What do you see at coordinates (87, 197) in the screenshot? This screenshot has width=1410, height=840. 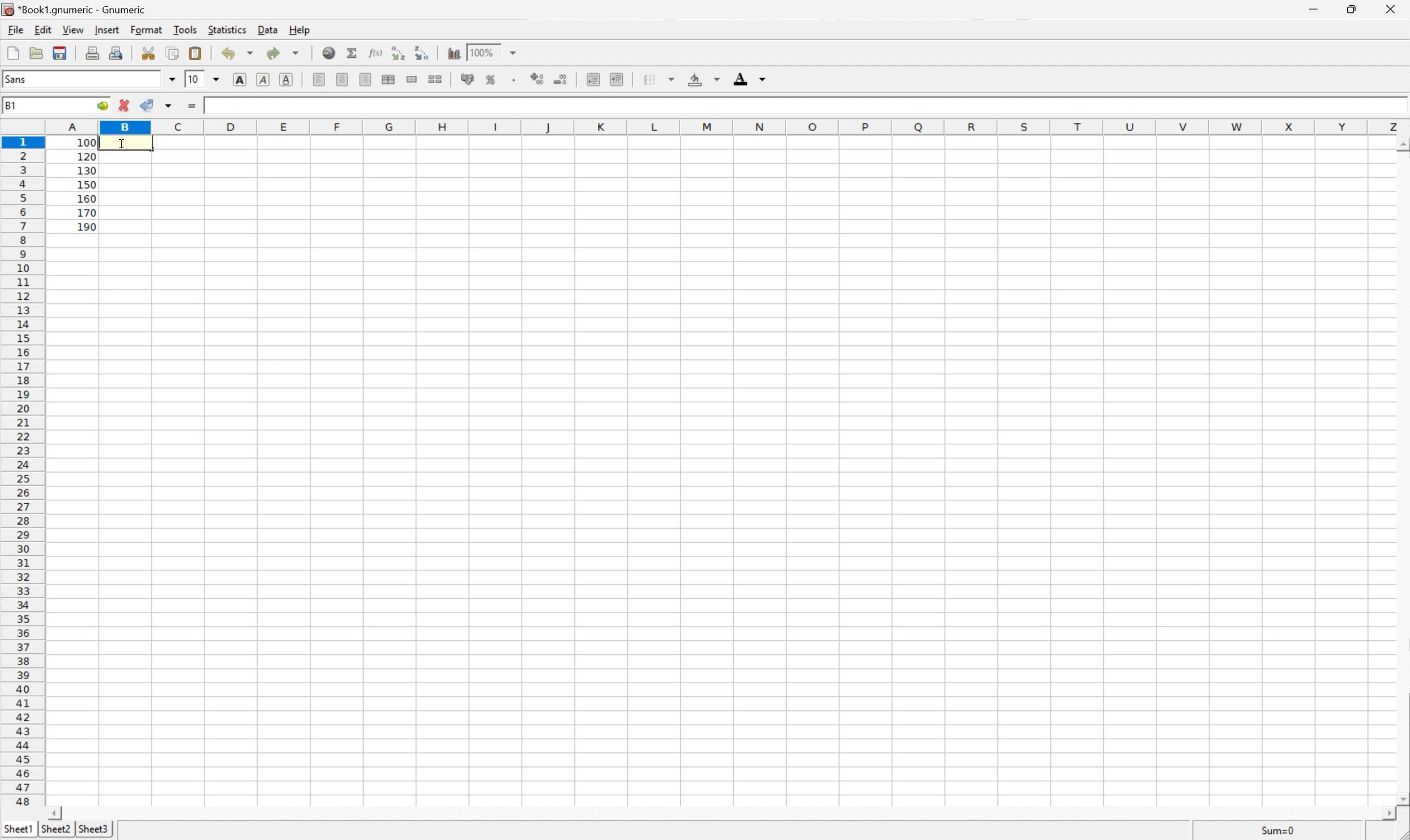 I see `160` at bounding box center [87, 197].